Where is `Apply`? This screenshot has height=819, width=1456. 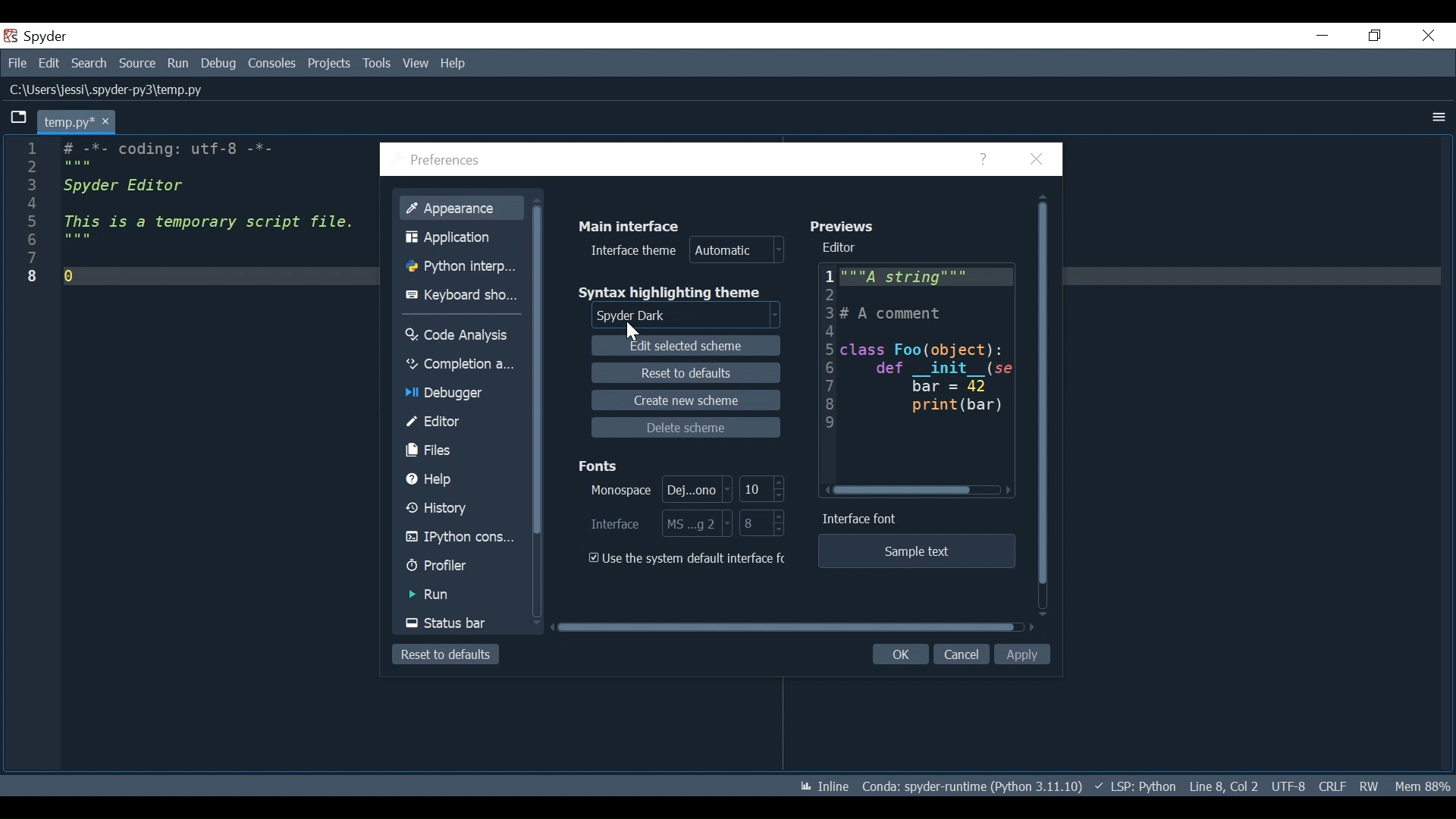
Apply is located at coordinates (1022, 654).